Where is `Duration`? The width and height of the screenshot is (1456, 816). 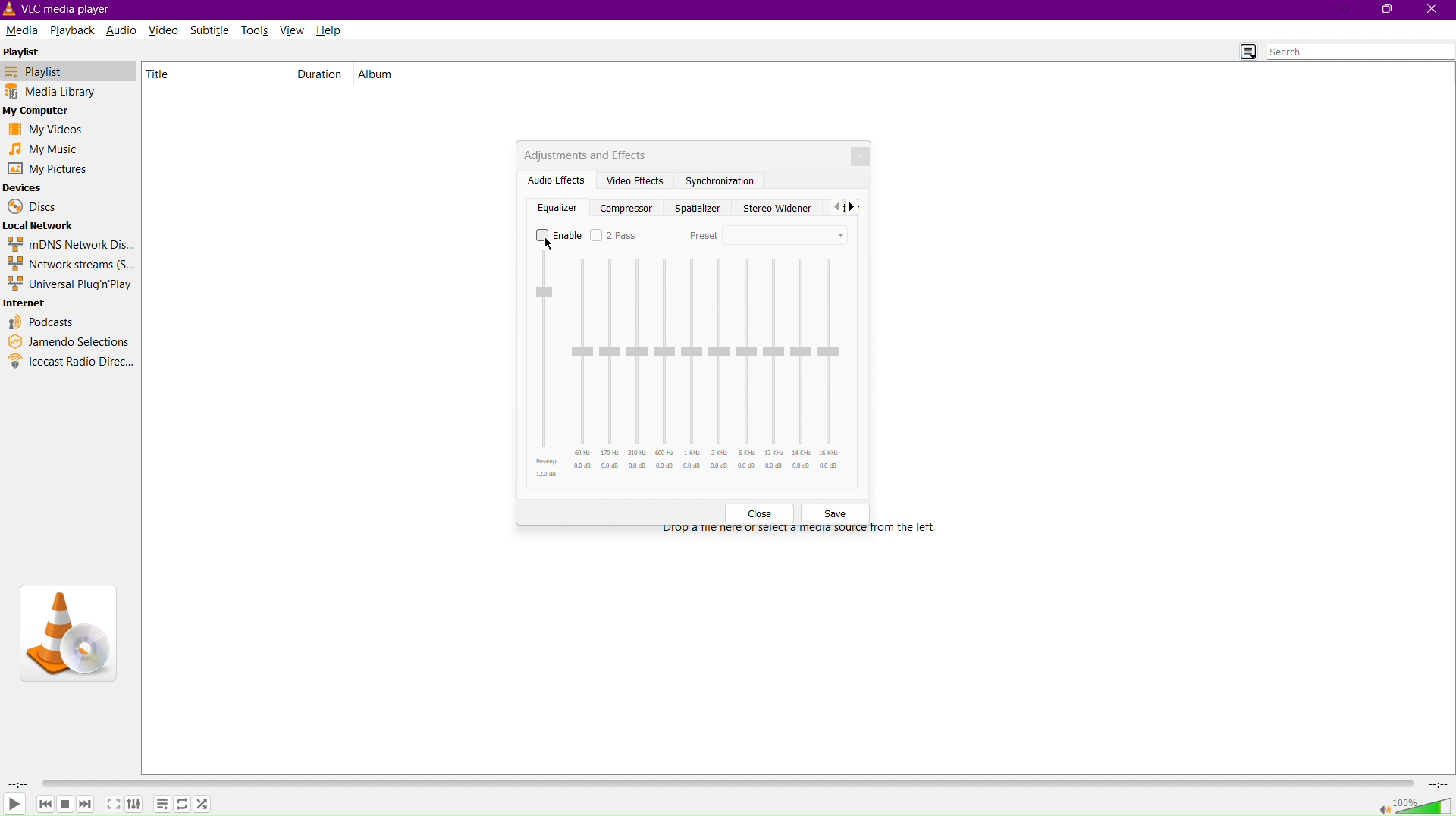
Duration is located at coordinates (14, 781).